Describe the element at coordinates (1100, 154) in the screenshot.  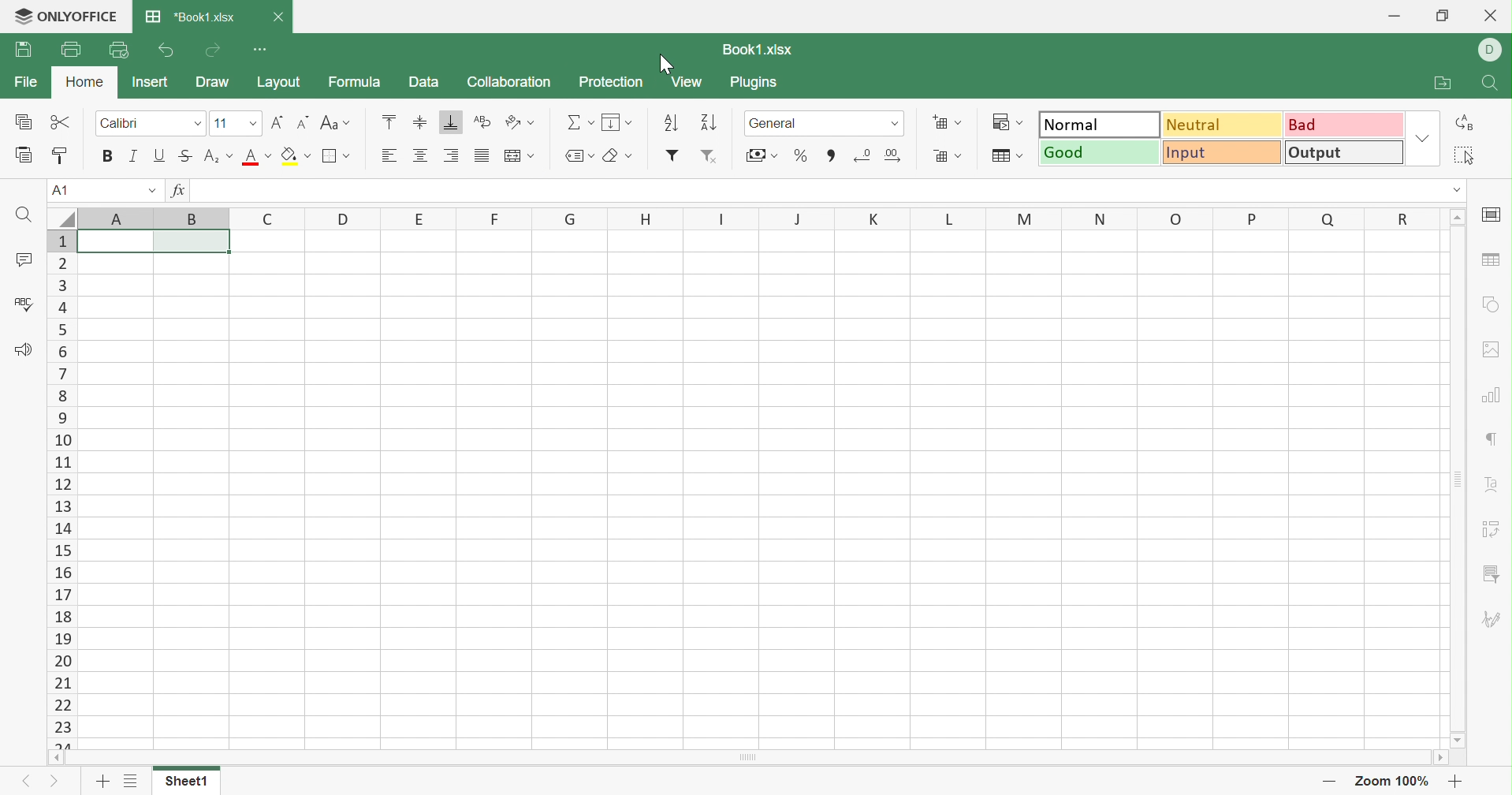
I see `Good` at that location.